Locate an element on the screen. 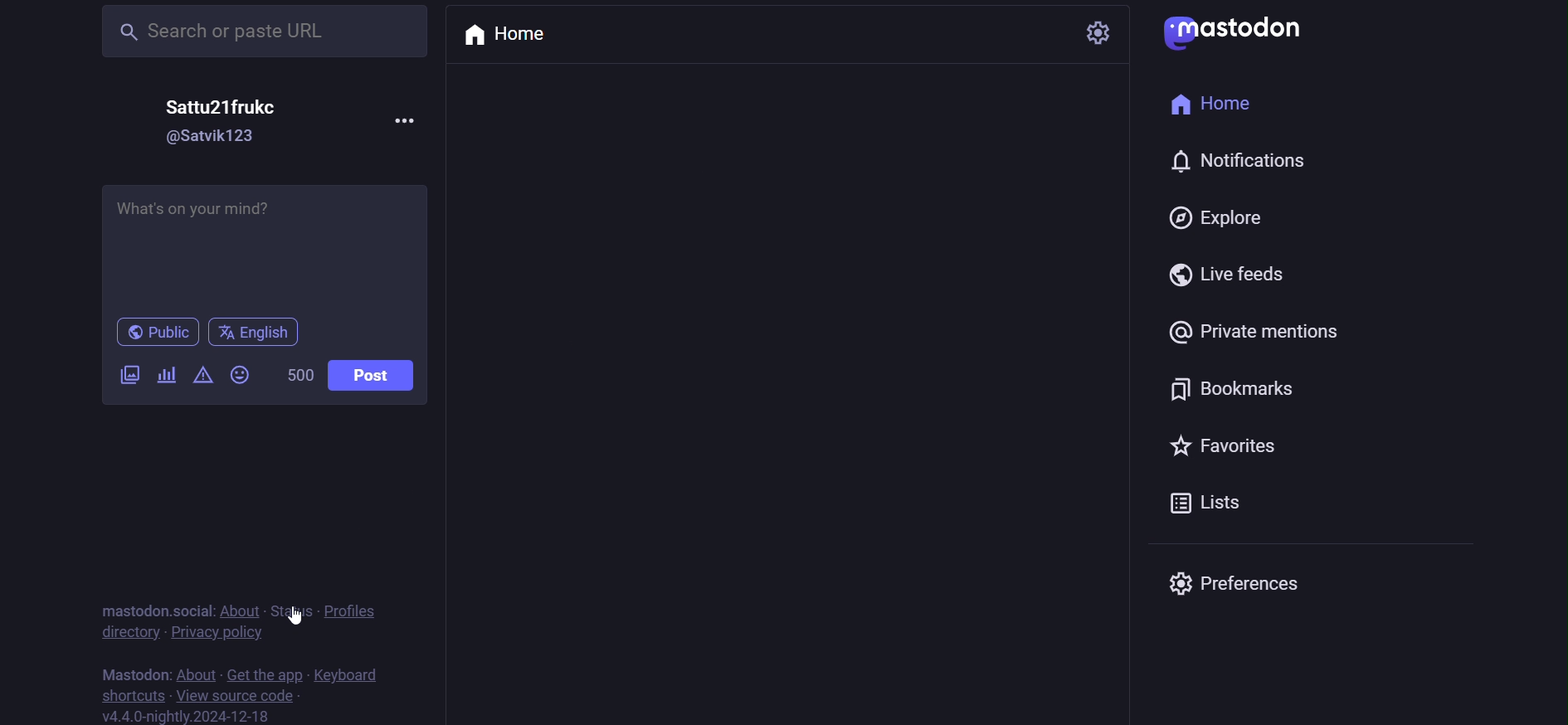 This screenshot has height=725, width=1568. home is located at coordinates (1207, 103).